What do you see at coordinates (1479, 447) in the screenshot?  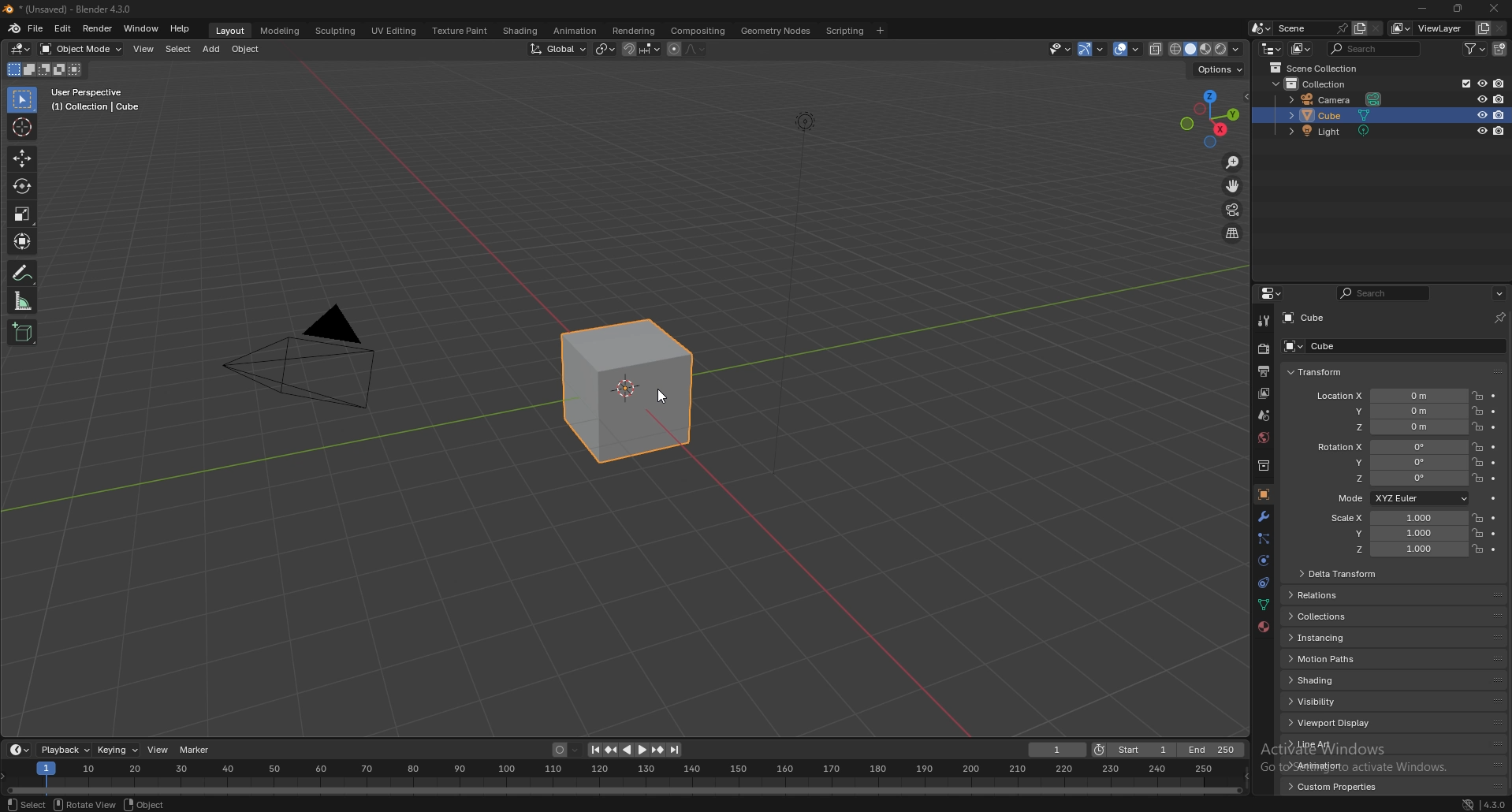 I see `lock location` at bounding box center [1479, 447].